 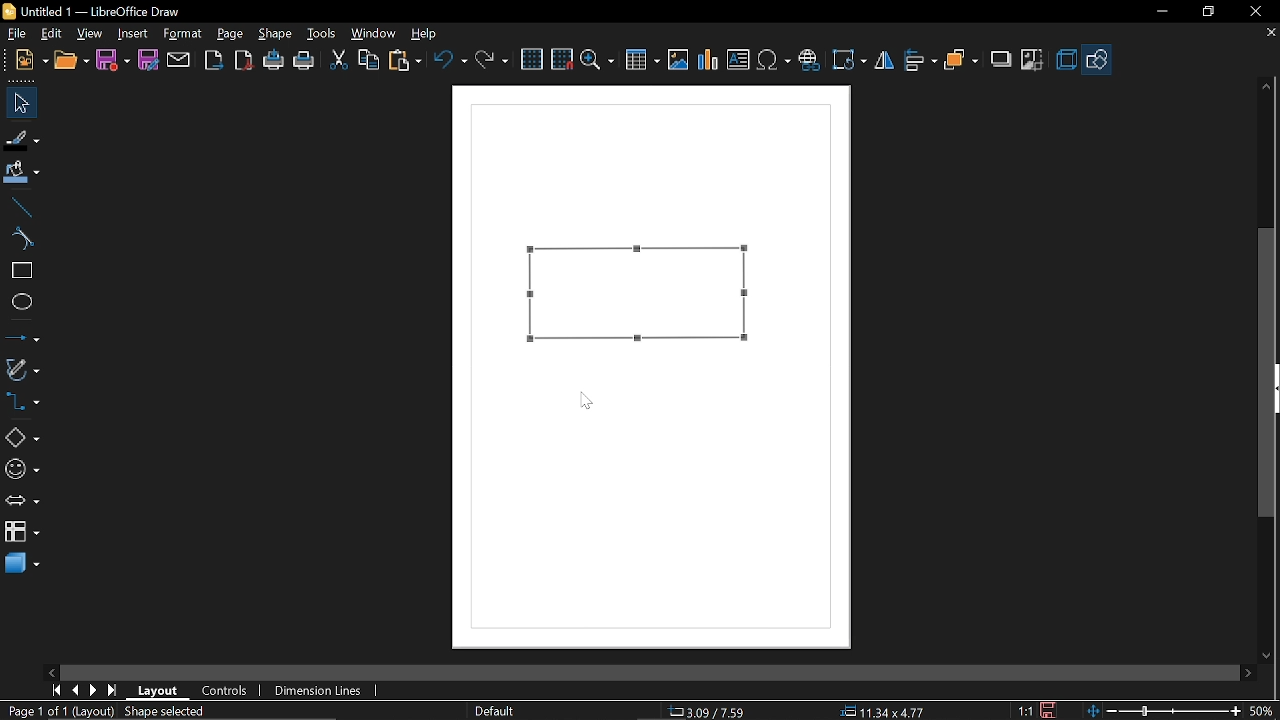 I want to click on go to last page, so click(x=114, y=691).